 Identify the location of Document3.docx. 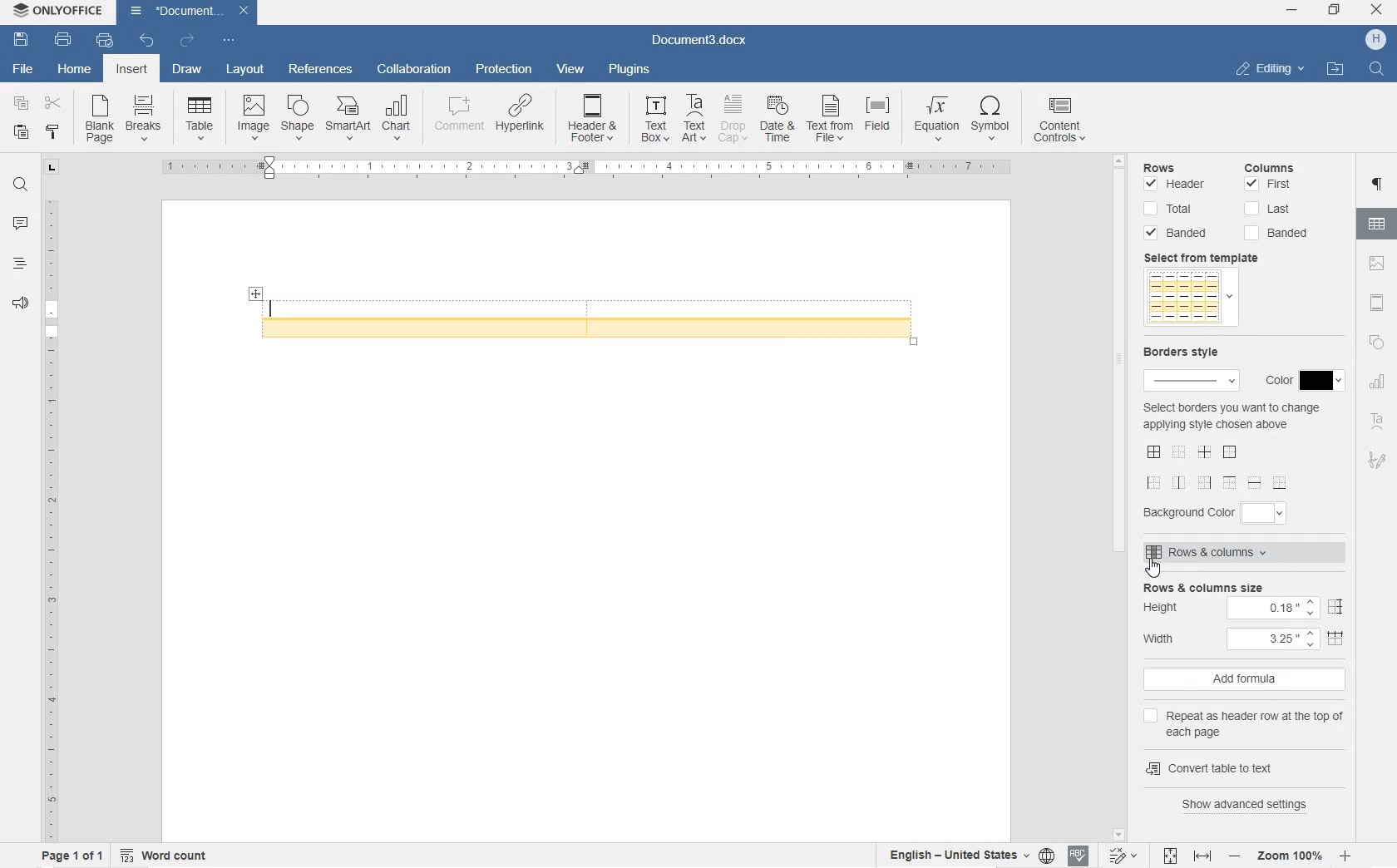
(190, 11).